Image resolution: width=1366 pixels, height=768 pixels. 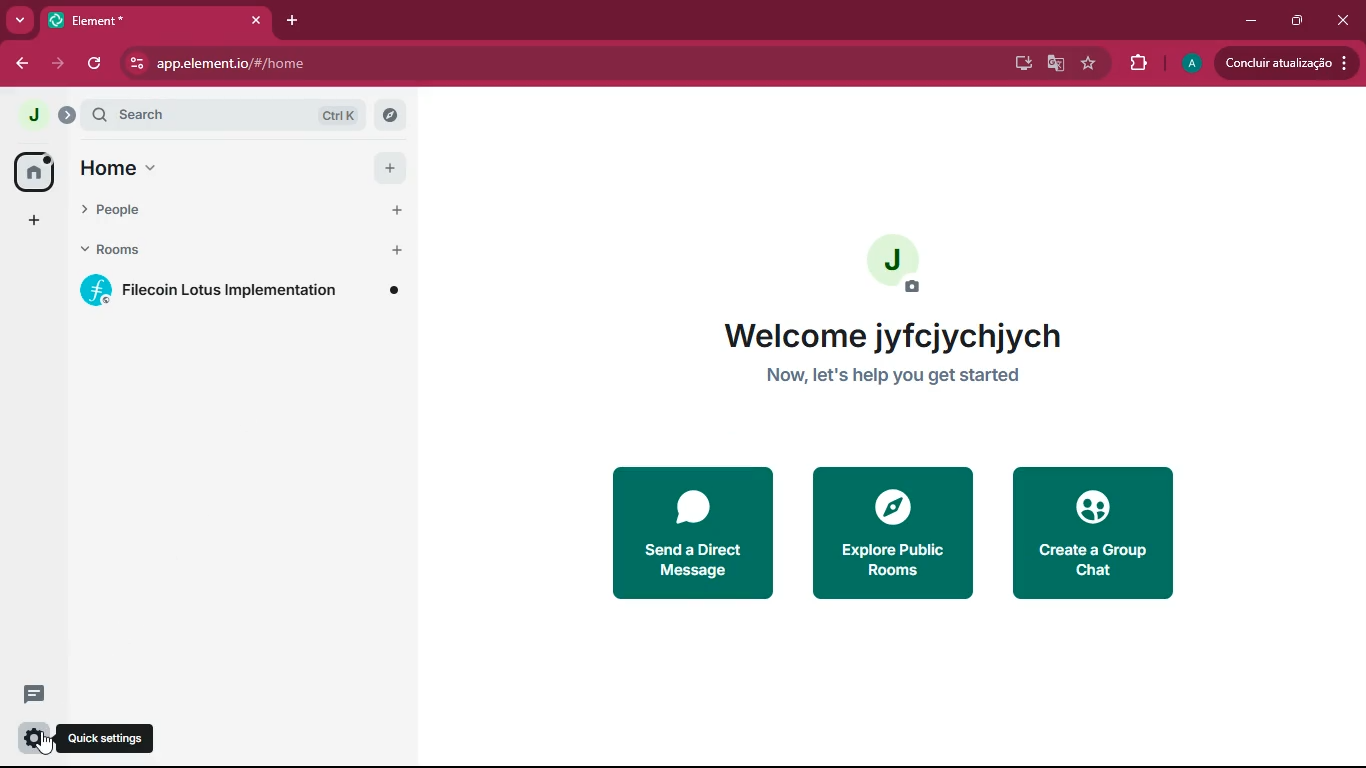 I want to click on add button, so click(x=401, y=250).